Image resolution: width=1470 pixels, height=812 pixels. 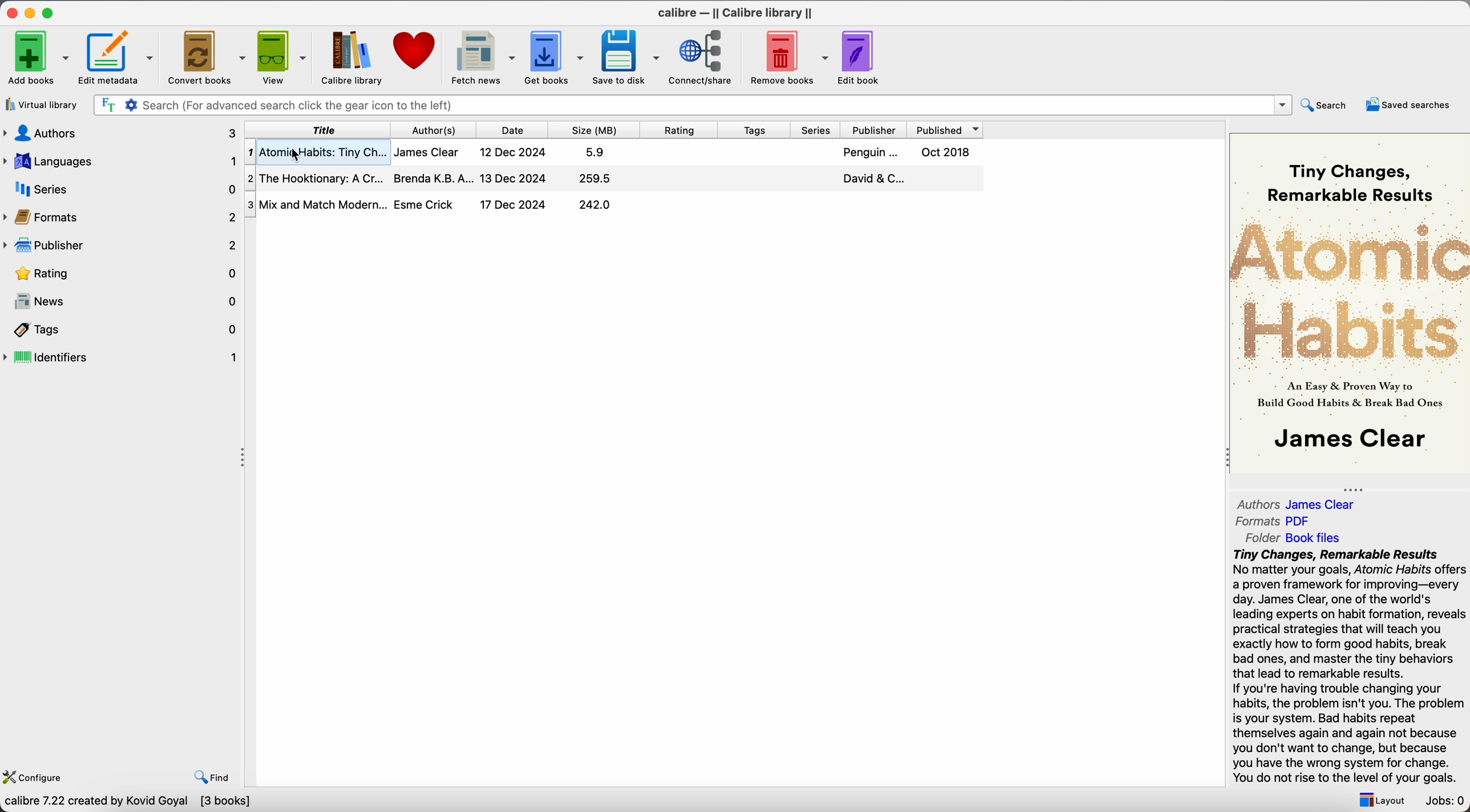 I want to click on authors, so click(x=122, y=132).